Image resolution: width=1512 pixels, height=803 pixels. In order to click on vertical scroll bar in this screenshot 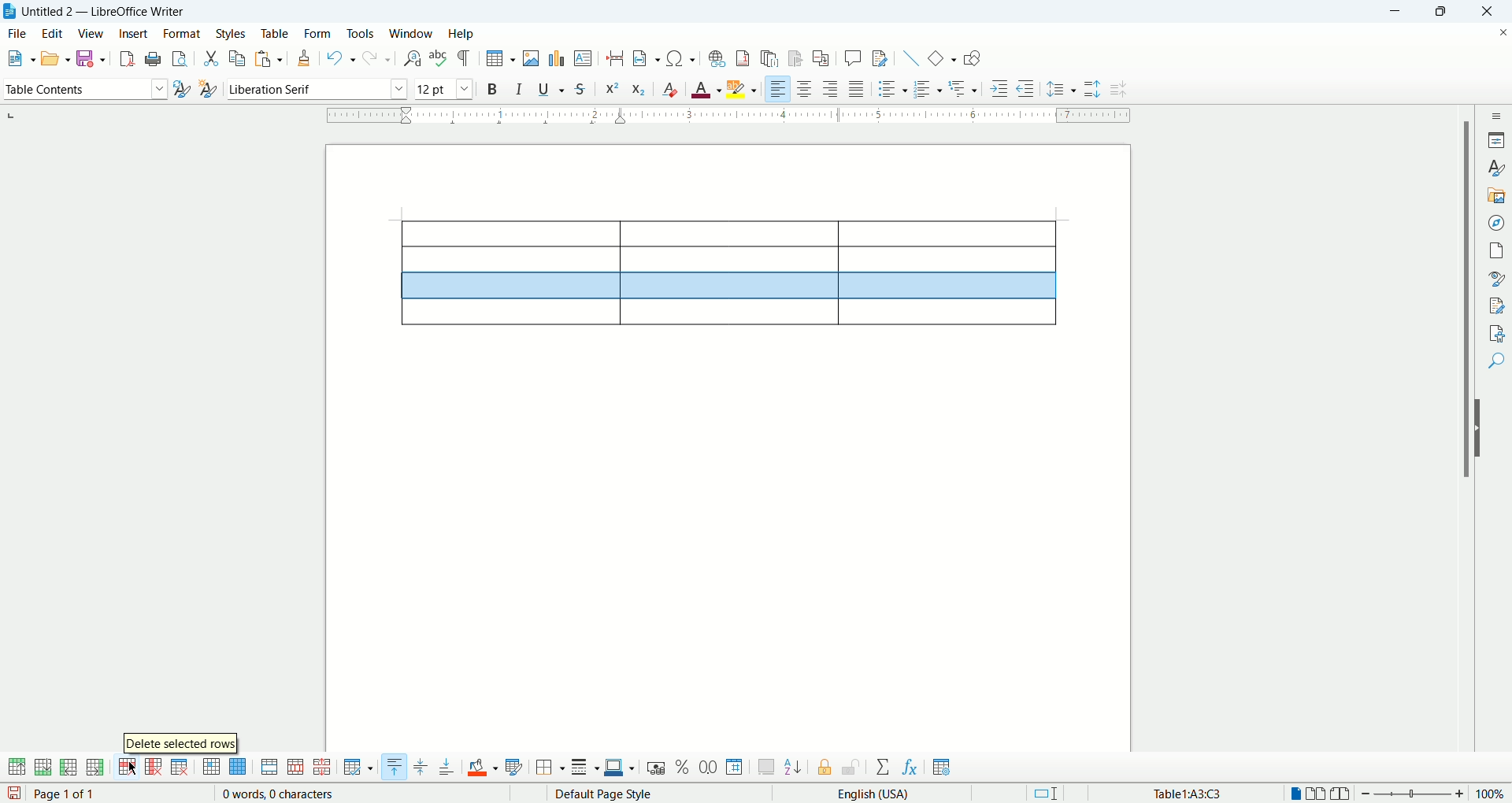, I will do `click(1466, 446)`.